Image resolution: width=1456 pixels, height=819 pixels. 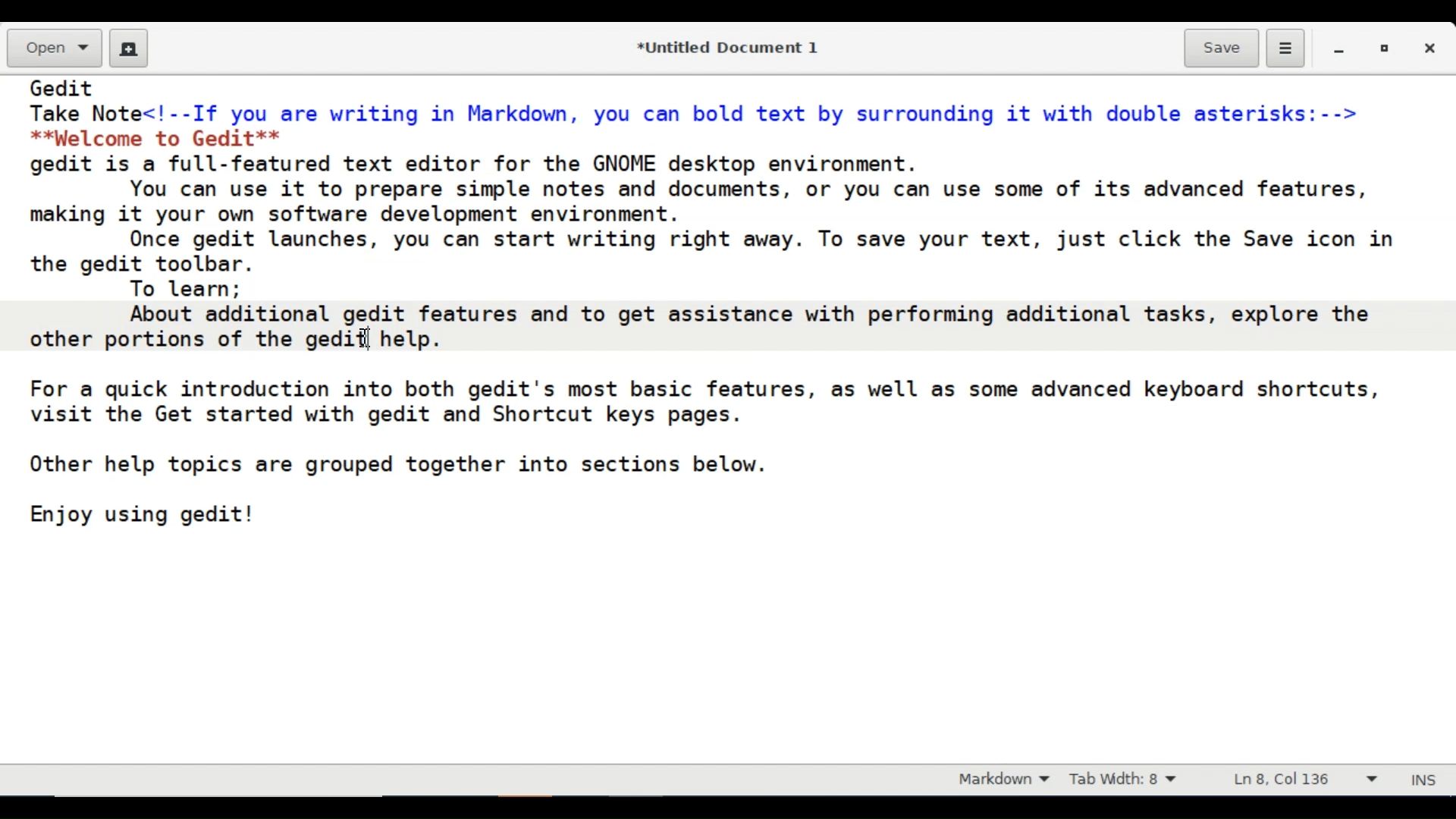 What do you see at coordinates (129, 48) in the screenshot?
I see `New File` at bounding box center [129, 48].